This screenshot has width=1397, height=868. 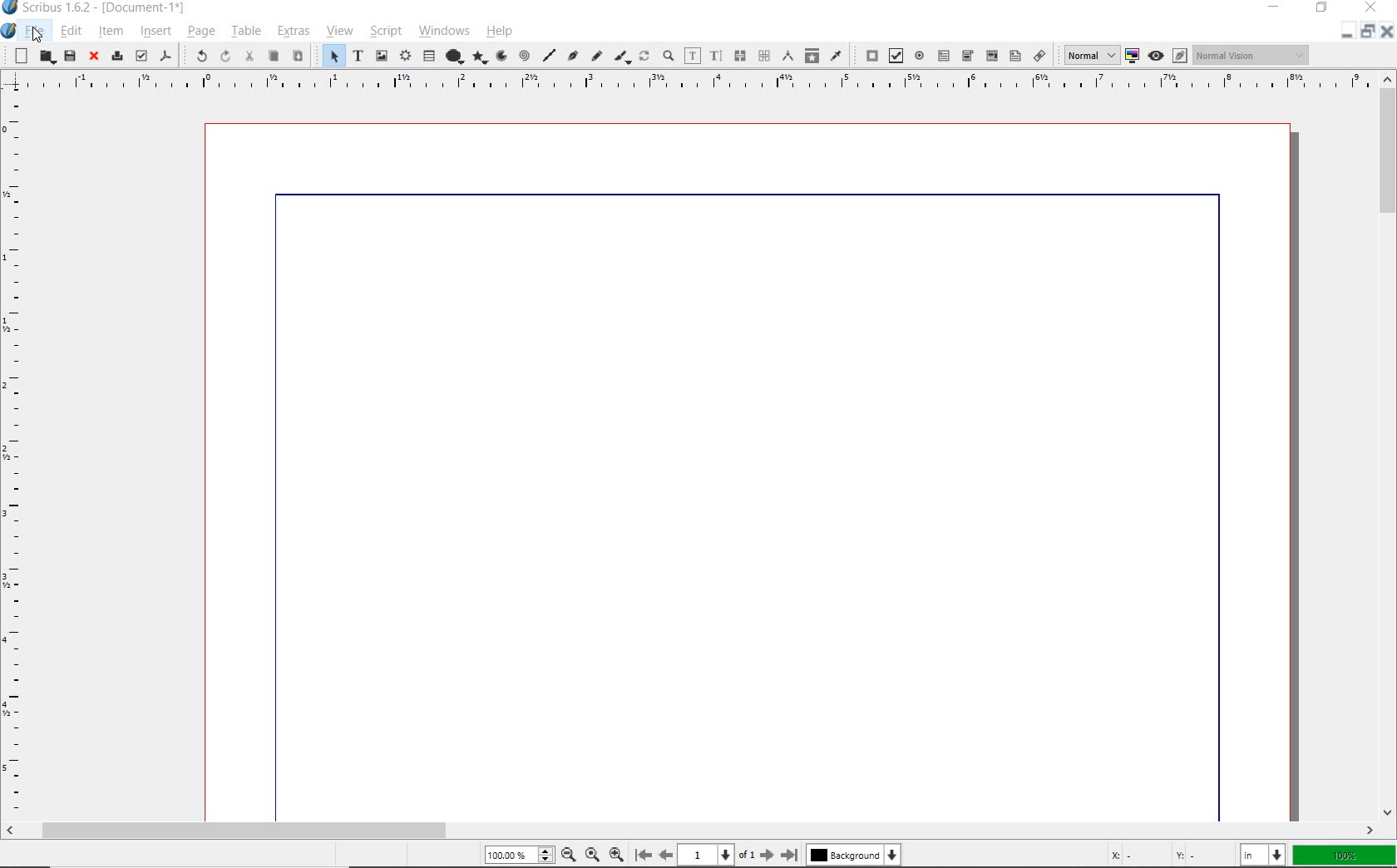 What do you see at coordinates (403, 57) in the screenshot?
I see `render frame` at bounding box center [403, 57].